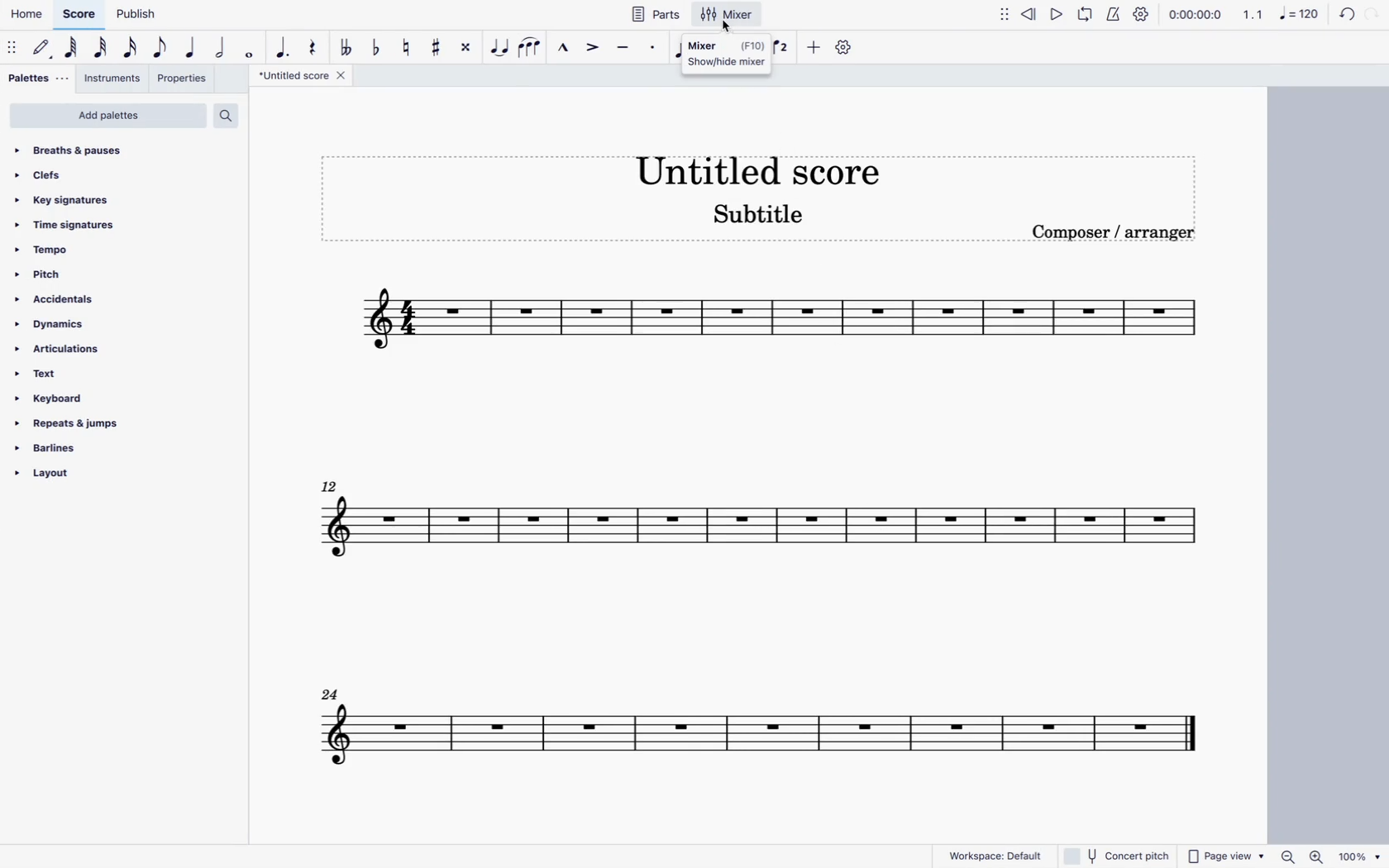  I want to click on publish, so click(139, 13).